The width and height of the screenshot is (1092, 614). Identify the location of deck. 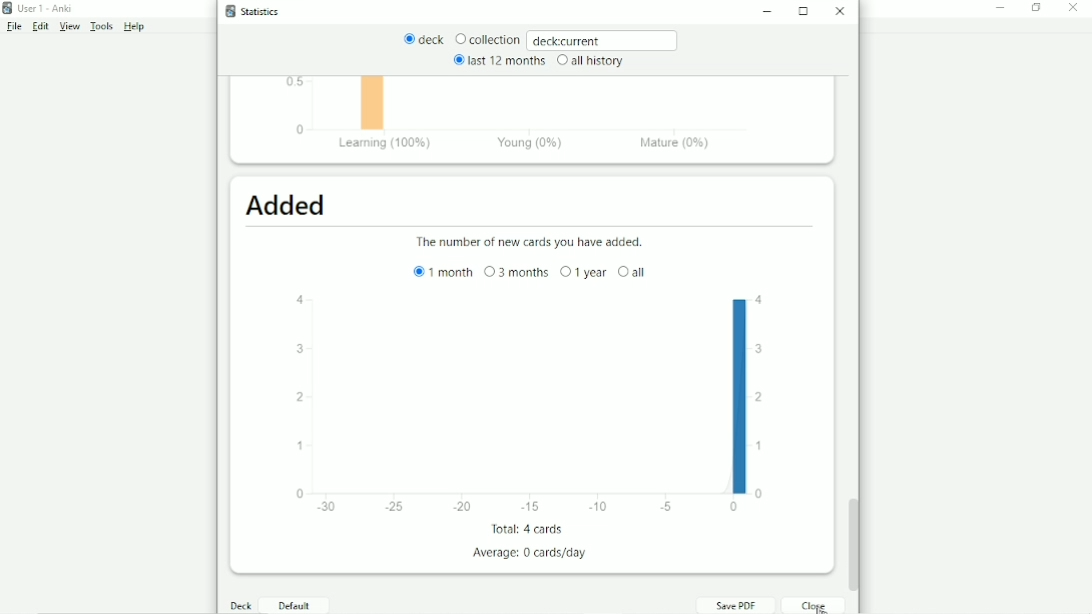
(424, 40).